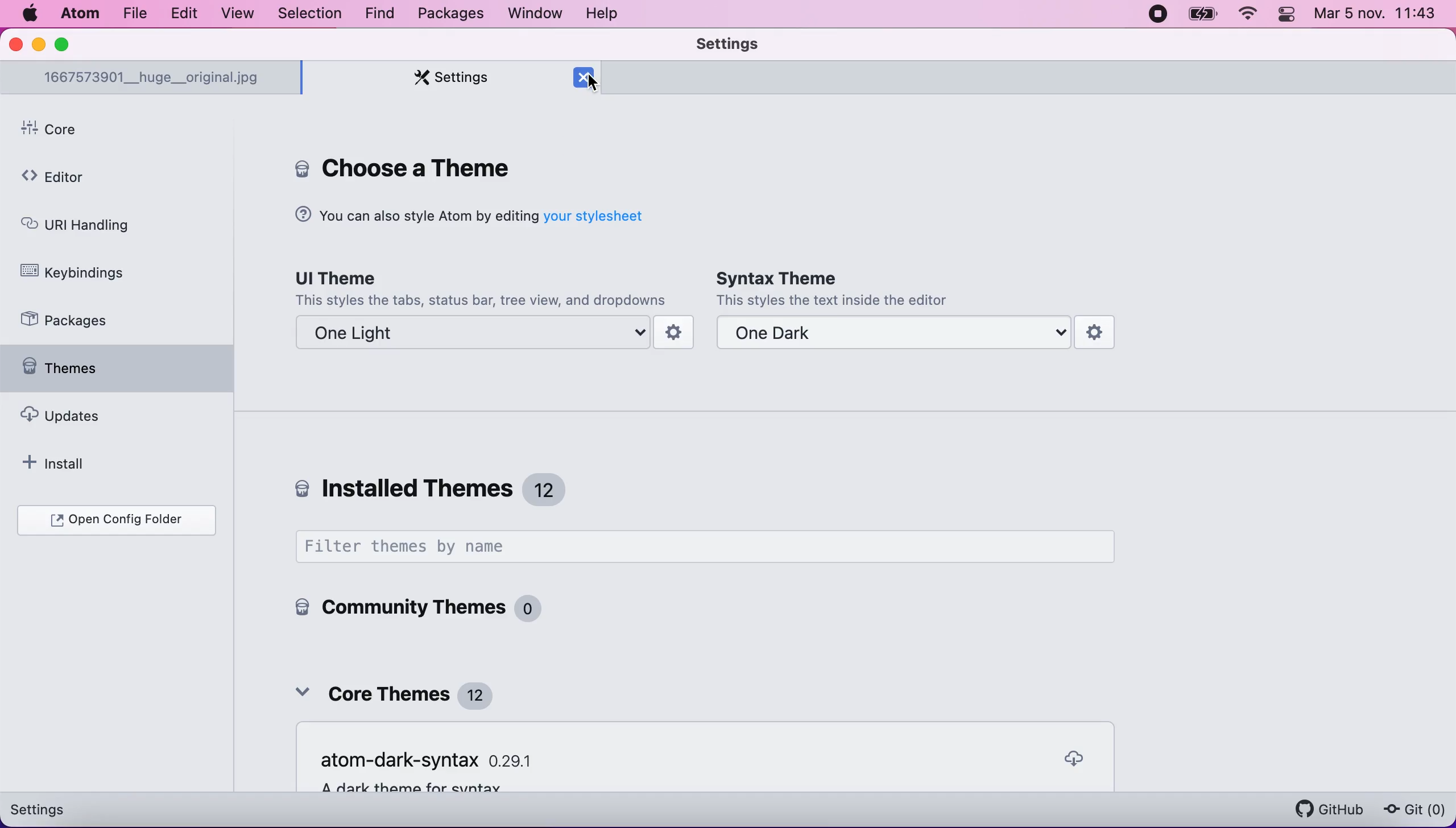 This screenshot has height=828, width=1456. Describe the element at coordinates (1413, 811) in the screenshot. I see `git(0)` at that location.